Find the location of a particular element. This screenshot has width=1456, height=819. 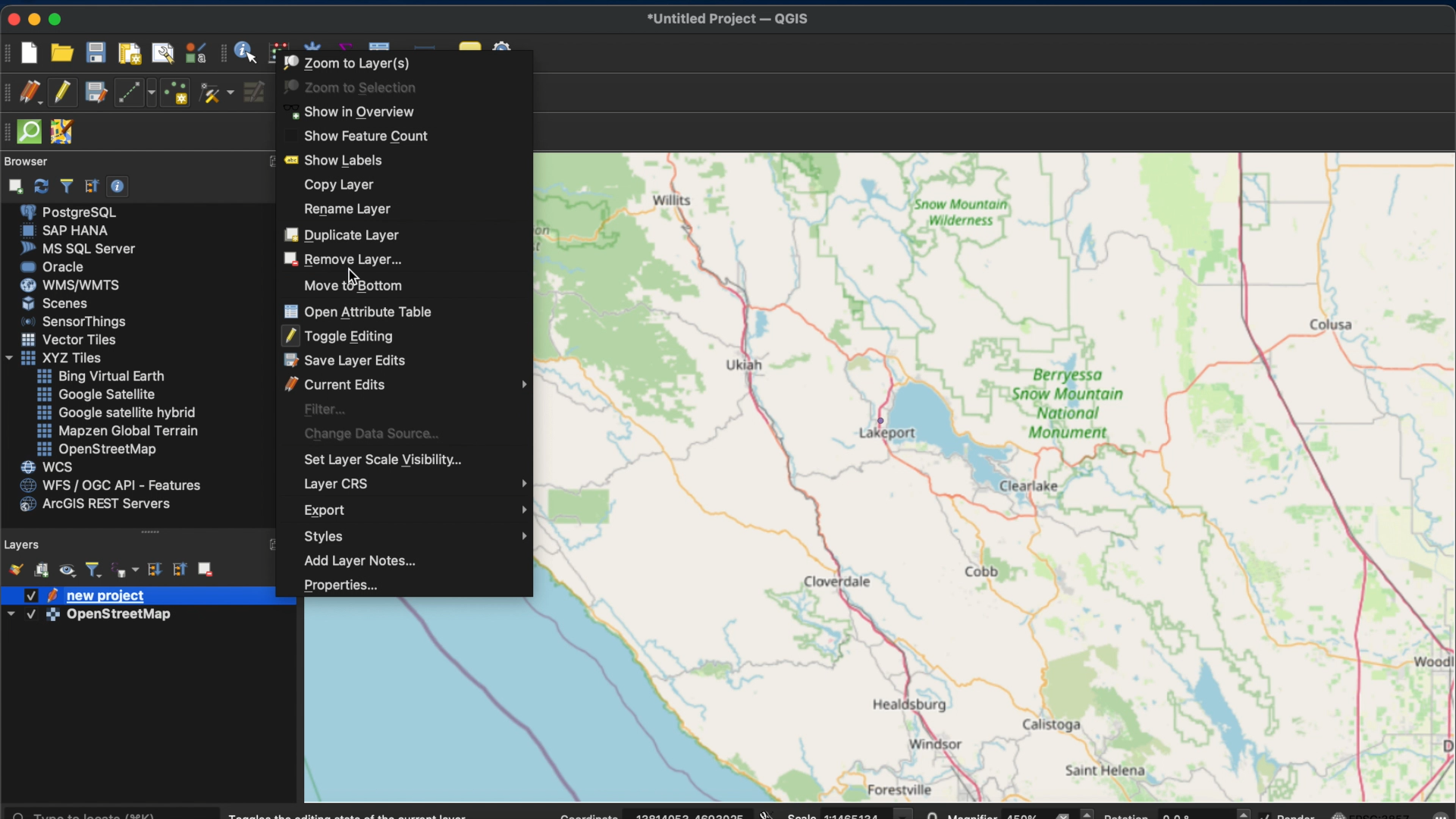

wfs/ogc api - features is located at coordinates (107, 486).